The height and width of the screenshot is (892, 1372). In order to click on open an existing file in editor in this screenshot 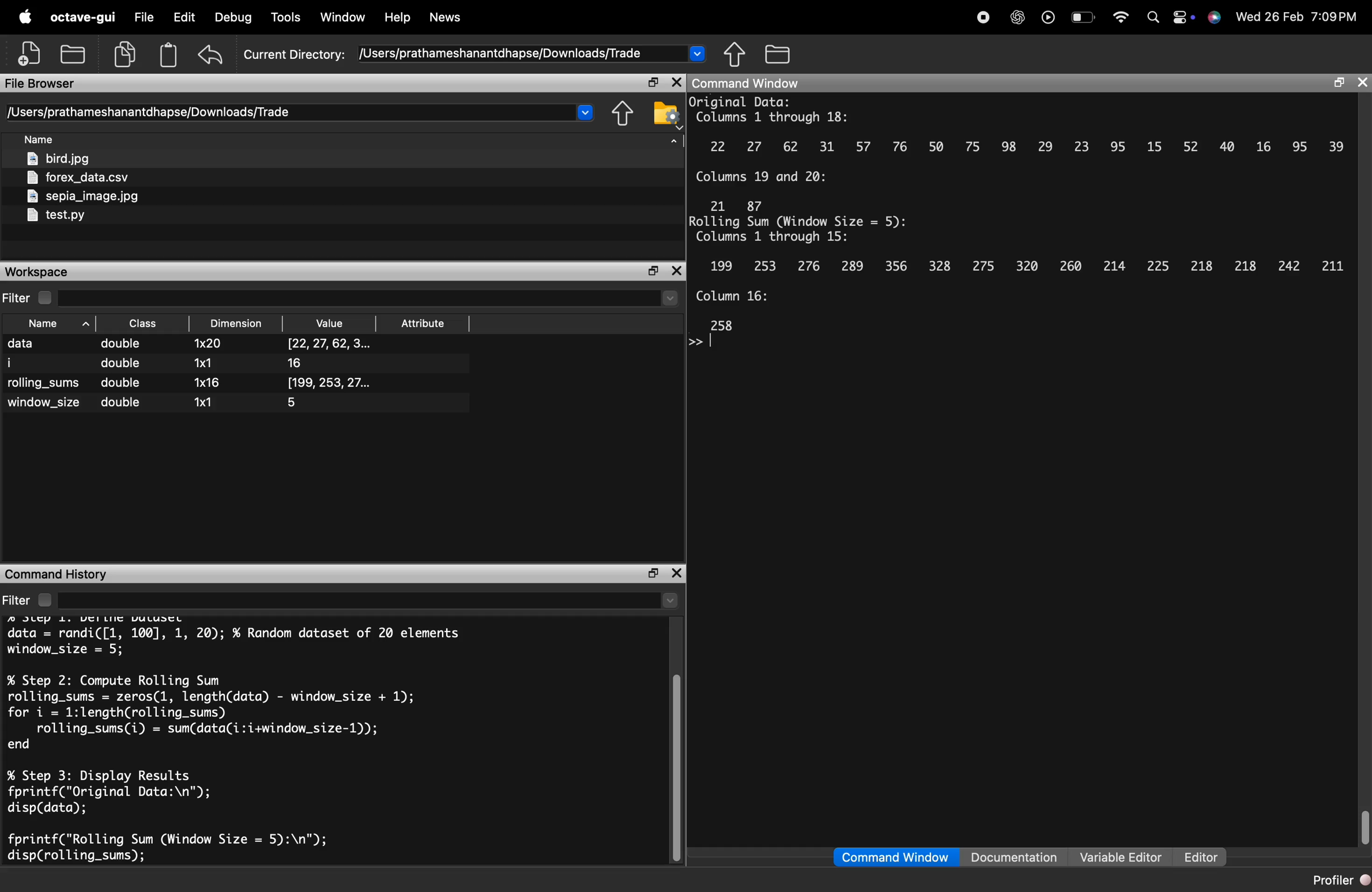, I will do `click(73, 54)`.